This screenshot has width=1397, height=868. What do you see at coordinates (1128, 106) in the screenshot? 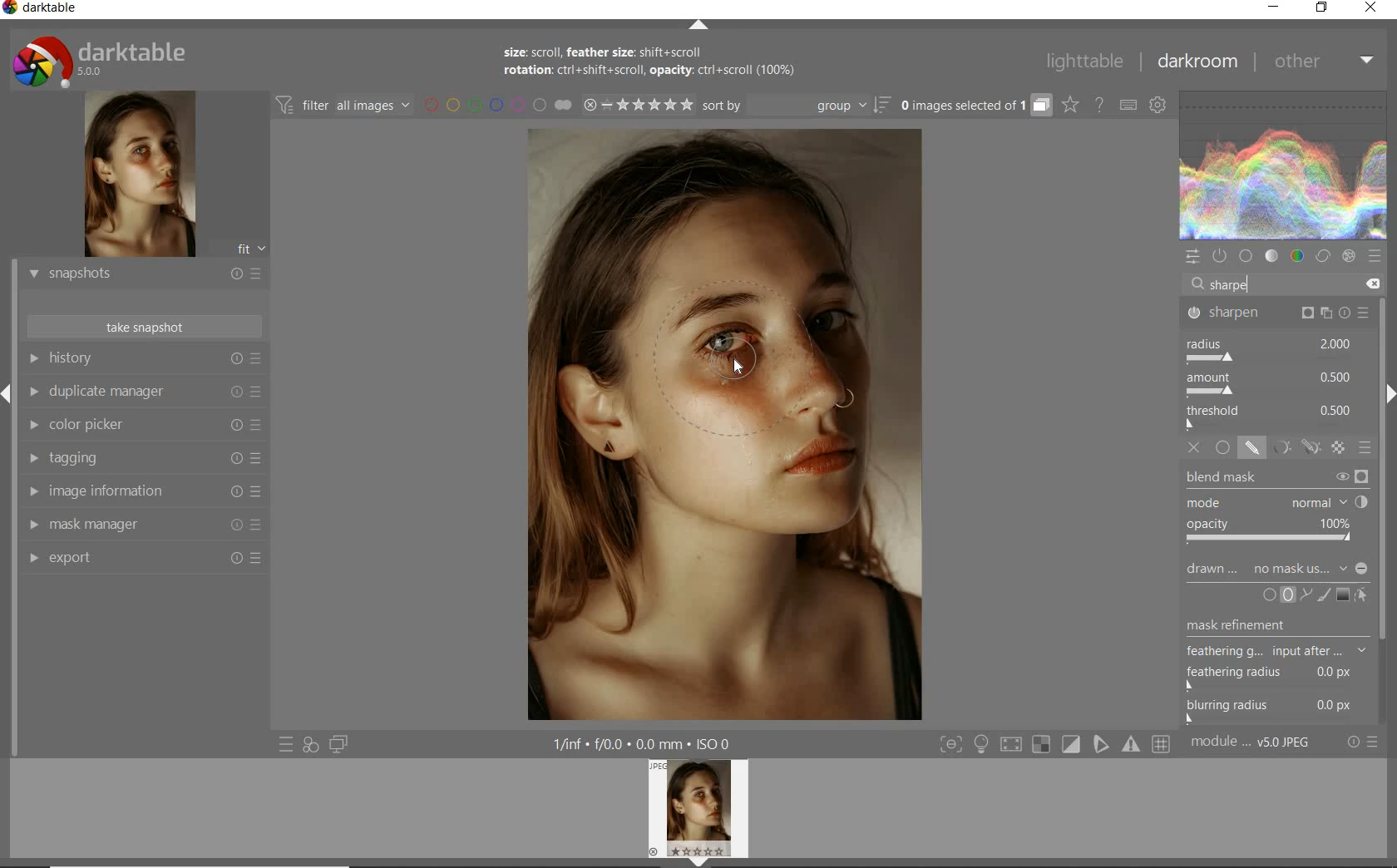
I see `set keyboard shortcuts` at bounding box center [1128, 106].